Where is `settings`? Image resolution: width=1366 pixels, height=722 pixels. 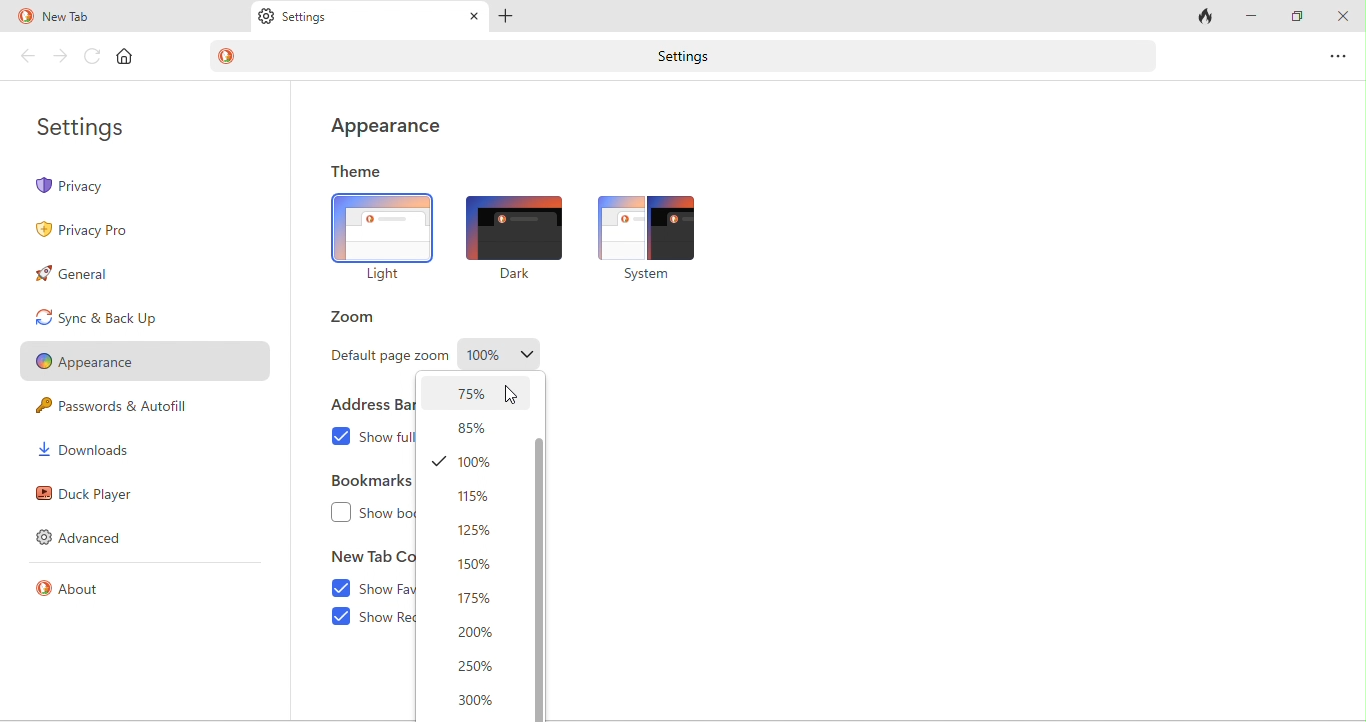 settings is located at coordinates (311, 19).